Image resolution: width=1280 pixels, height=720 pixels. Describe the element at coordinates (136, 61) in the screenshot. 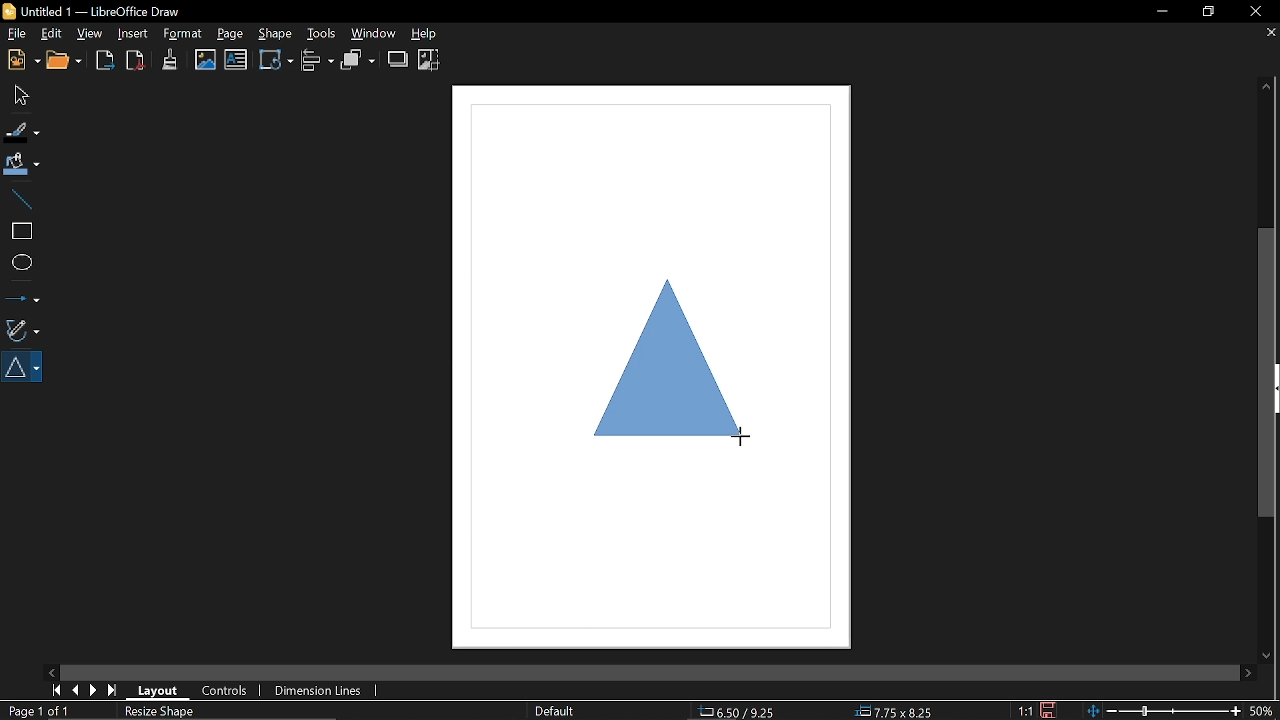

I see `Export as pdf` at that location.